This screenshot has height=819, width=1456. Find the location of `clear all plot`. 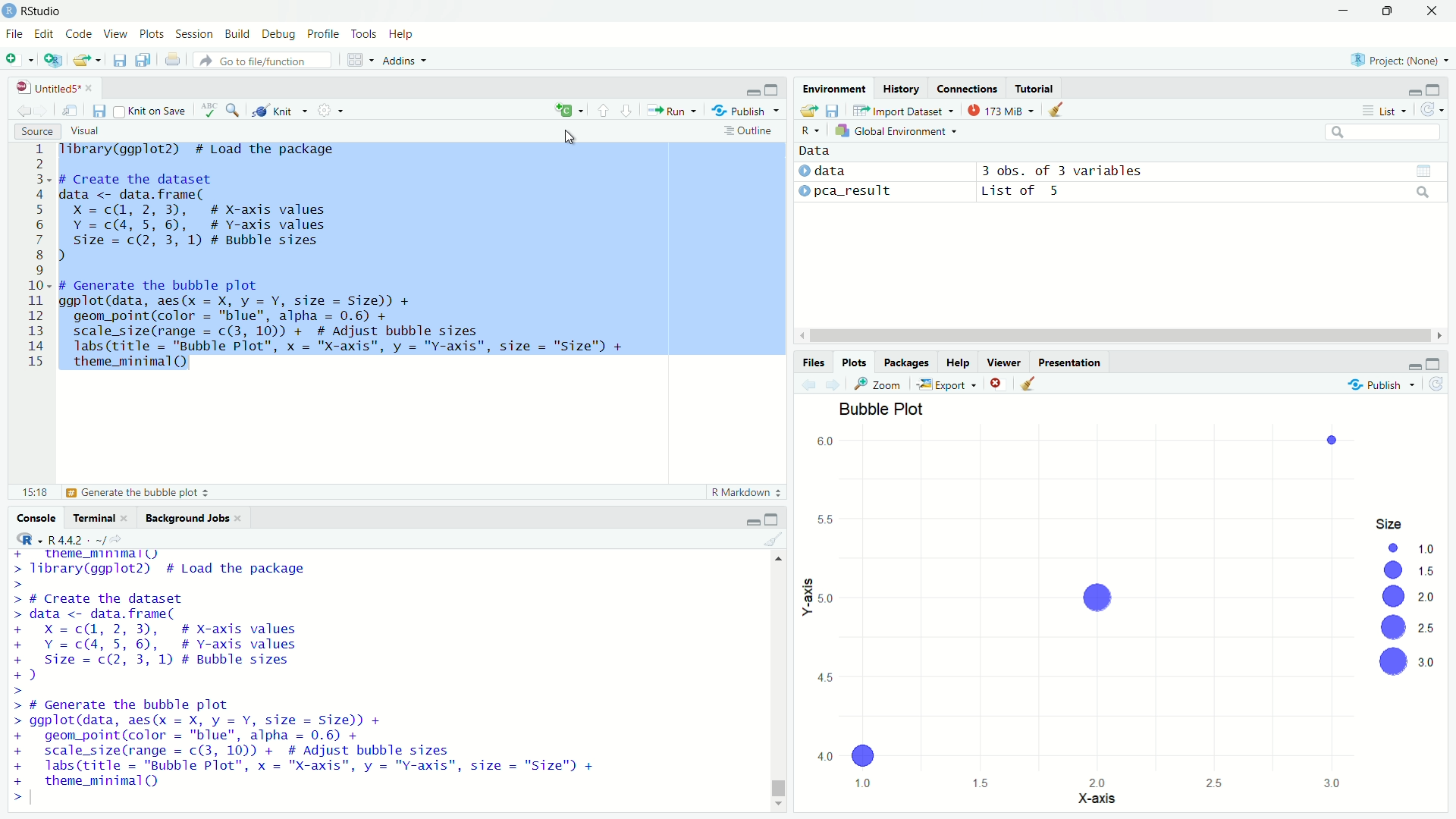

clear all plot is located at coordinates (1030, 384).